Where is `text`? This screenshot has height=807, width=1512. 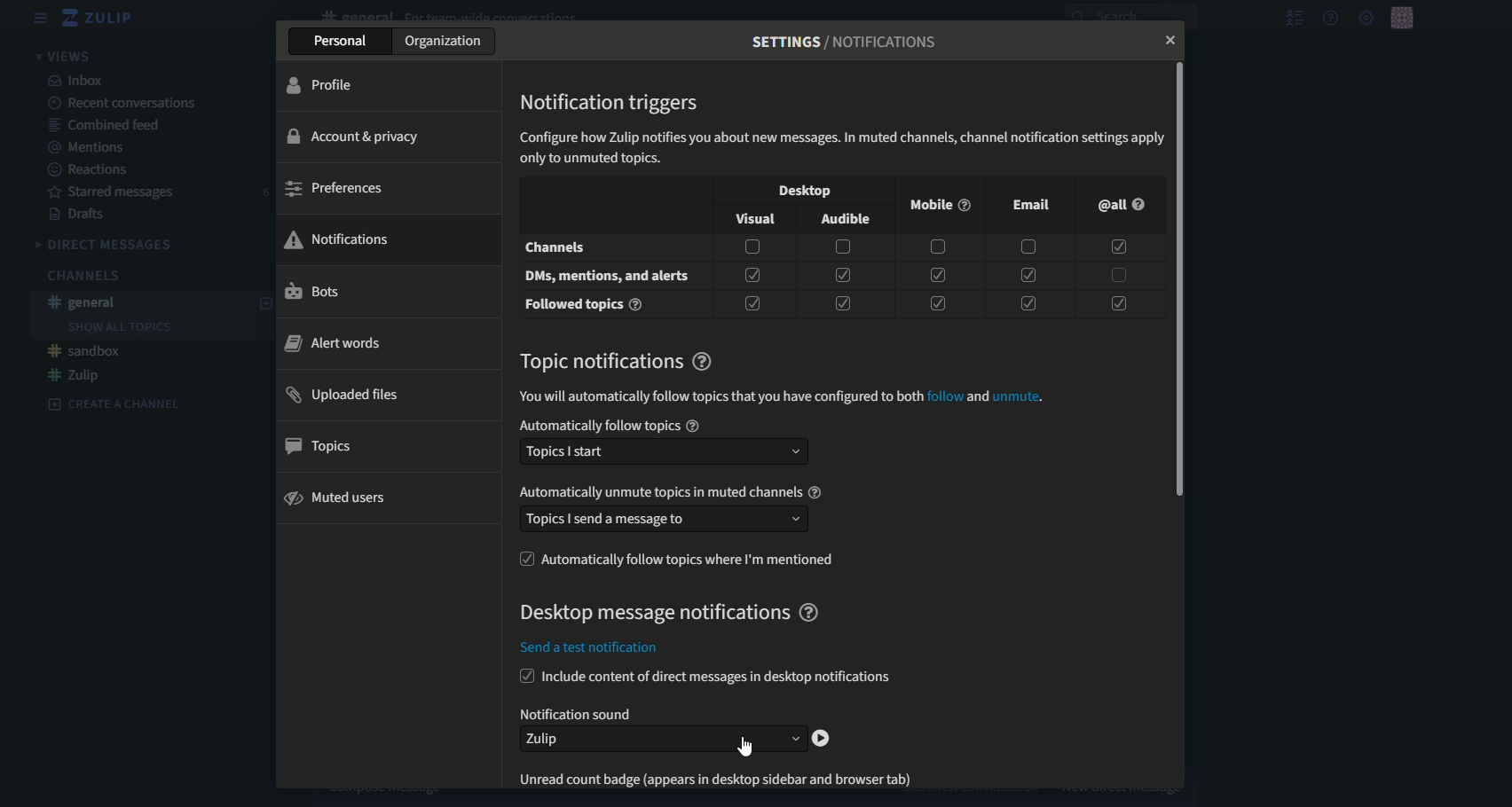
text is located at coordinates (846, 42).